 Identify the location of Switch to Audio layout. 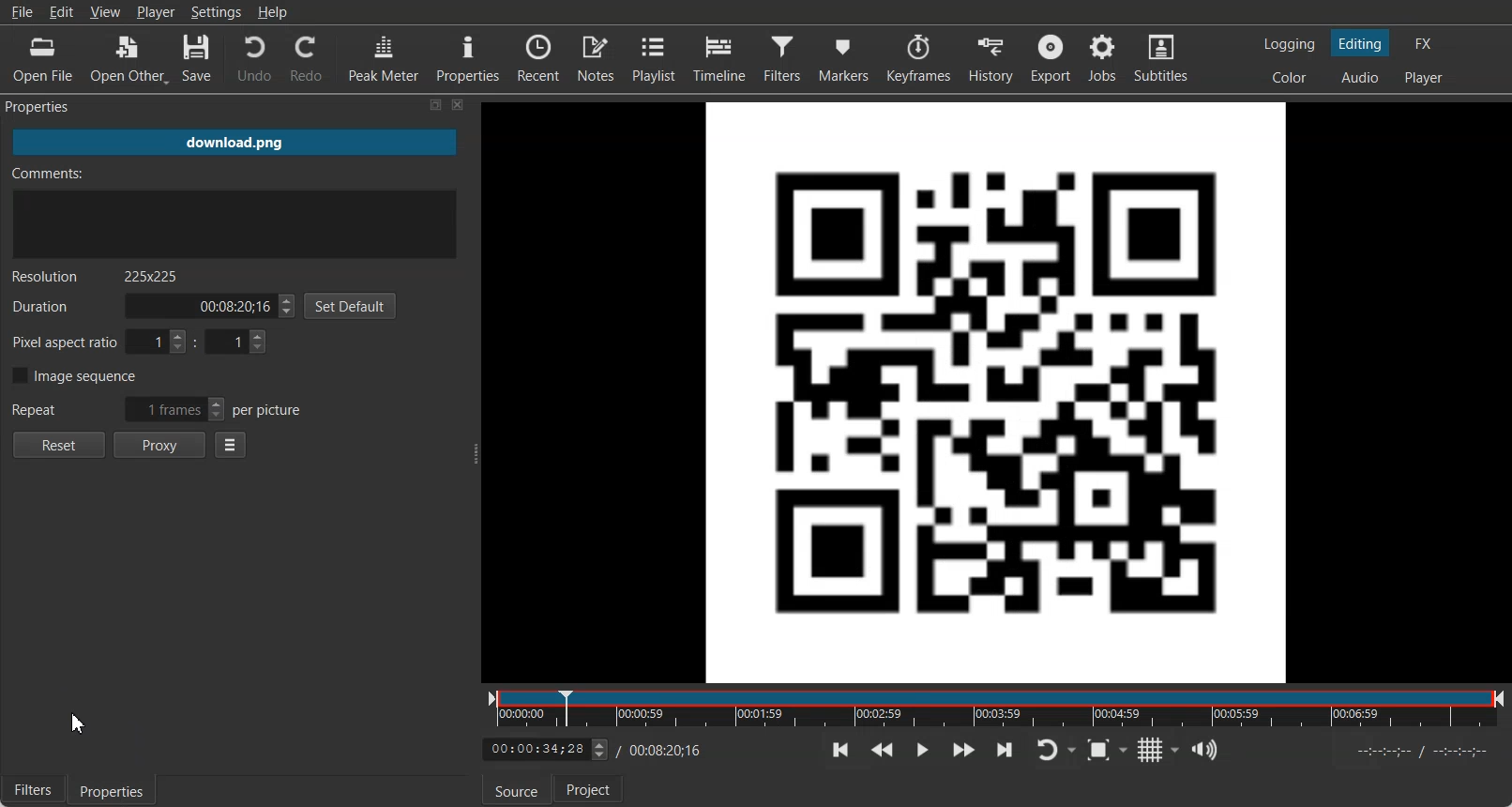
(1361, 77).